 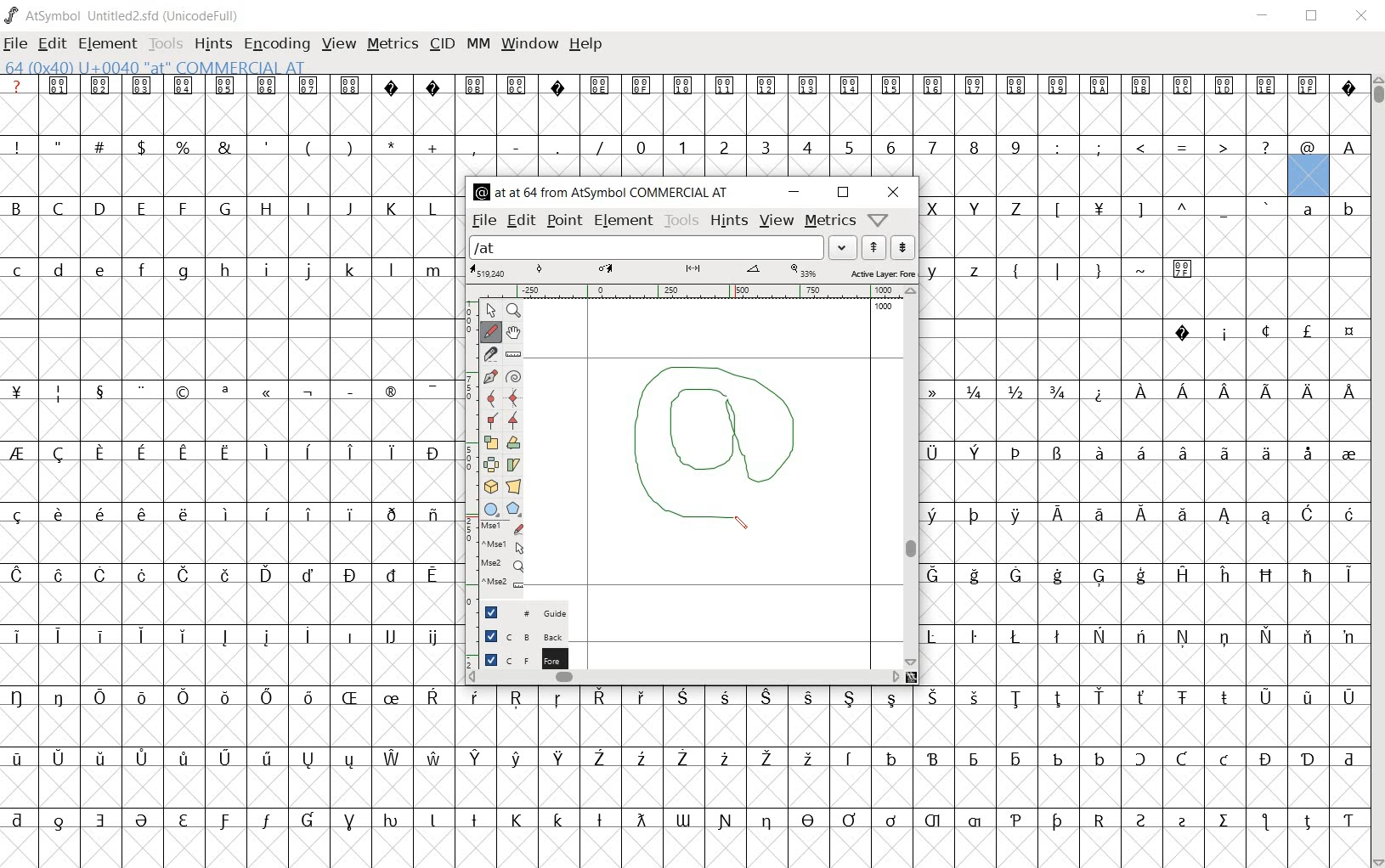 I want to click on editing tools, so click(x=495, y=451).